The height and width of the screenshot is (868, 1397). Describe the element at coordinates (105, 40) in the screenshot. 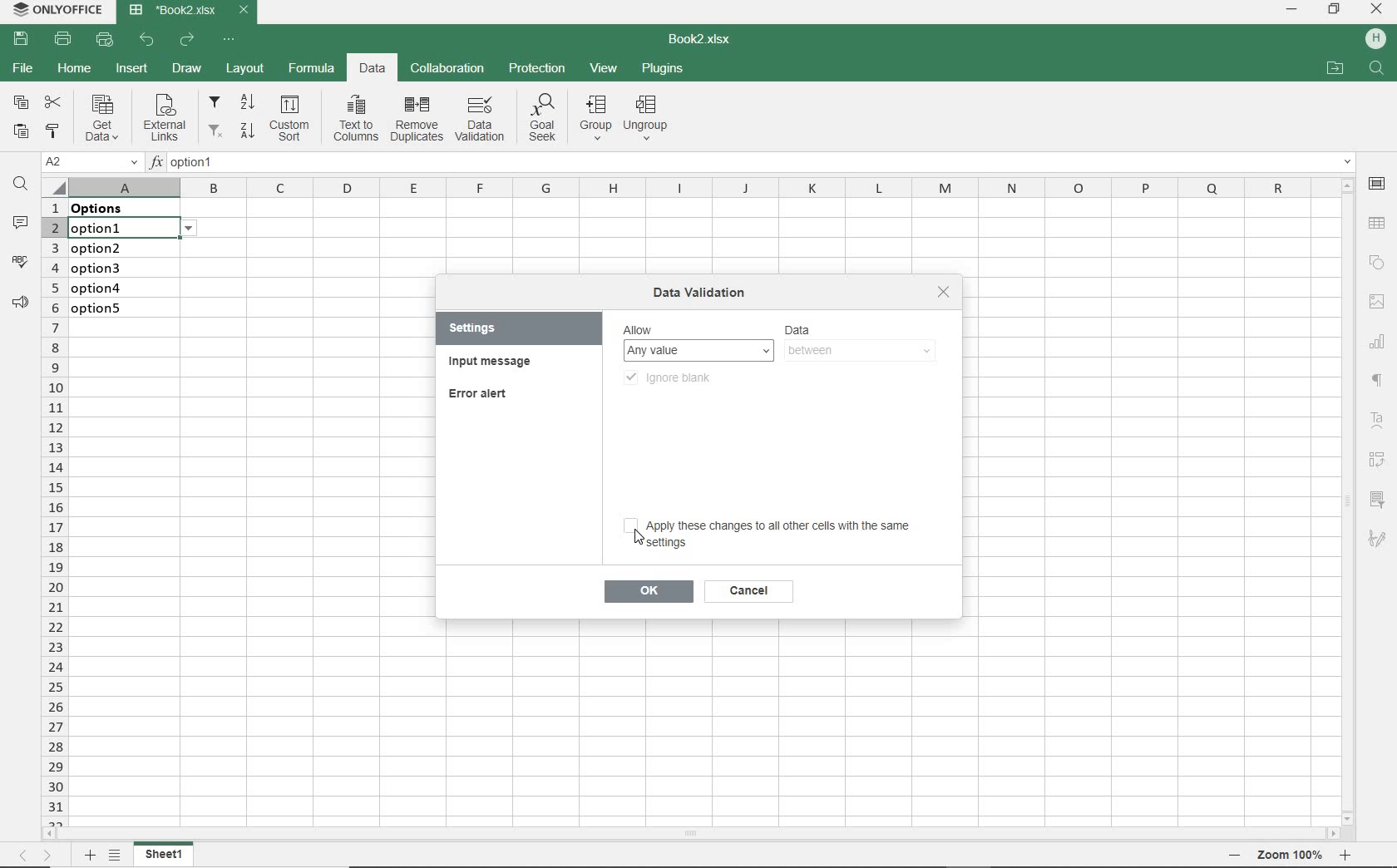

I see `QUICK PRINT` at that location.